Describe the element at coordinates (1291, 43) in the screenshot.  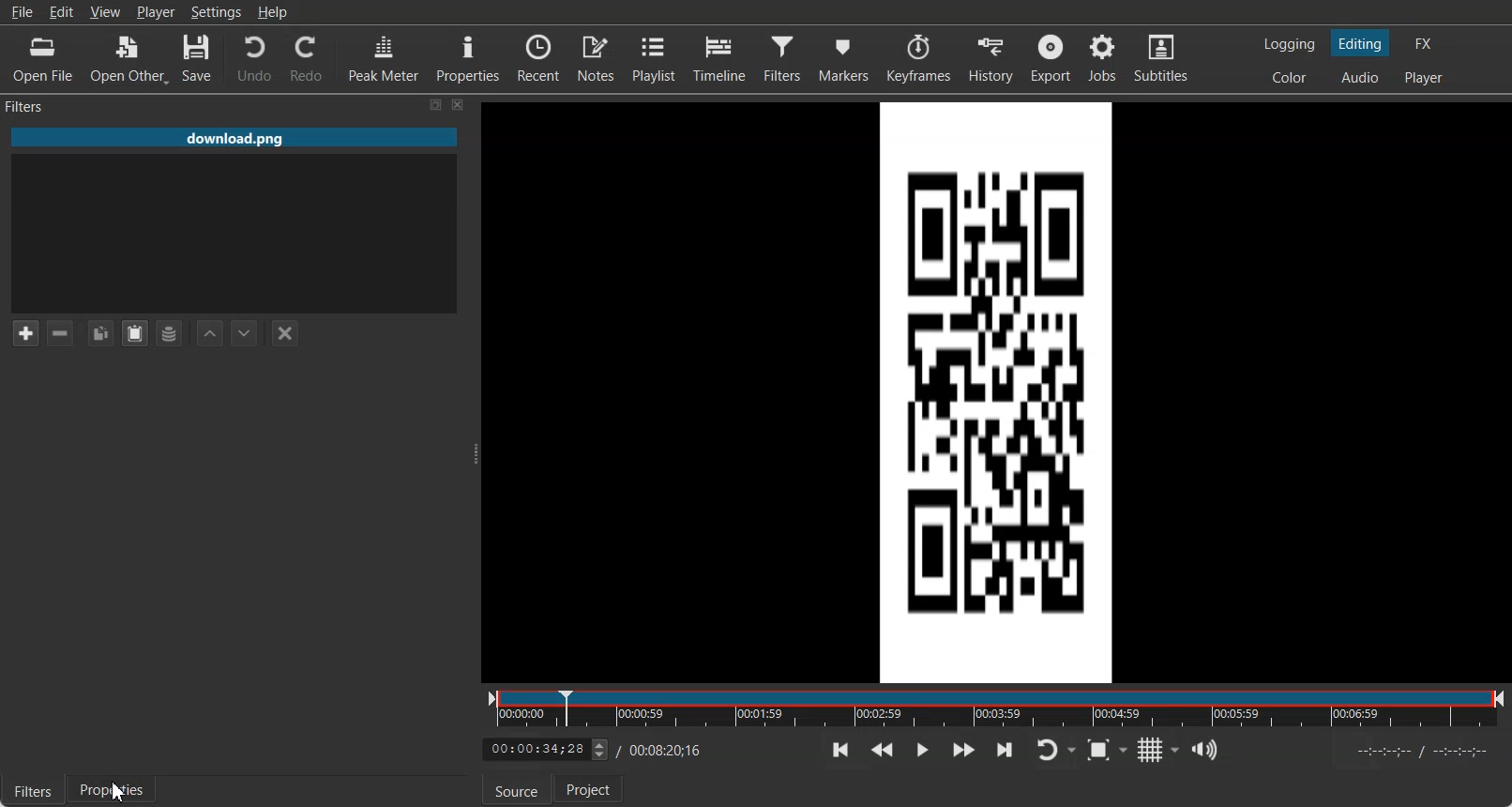
I see `Switch to logging layout` at that location.